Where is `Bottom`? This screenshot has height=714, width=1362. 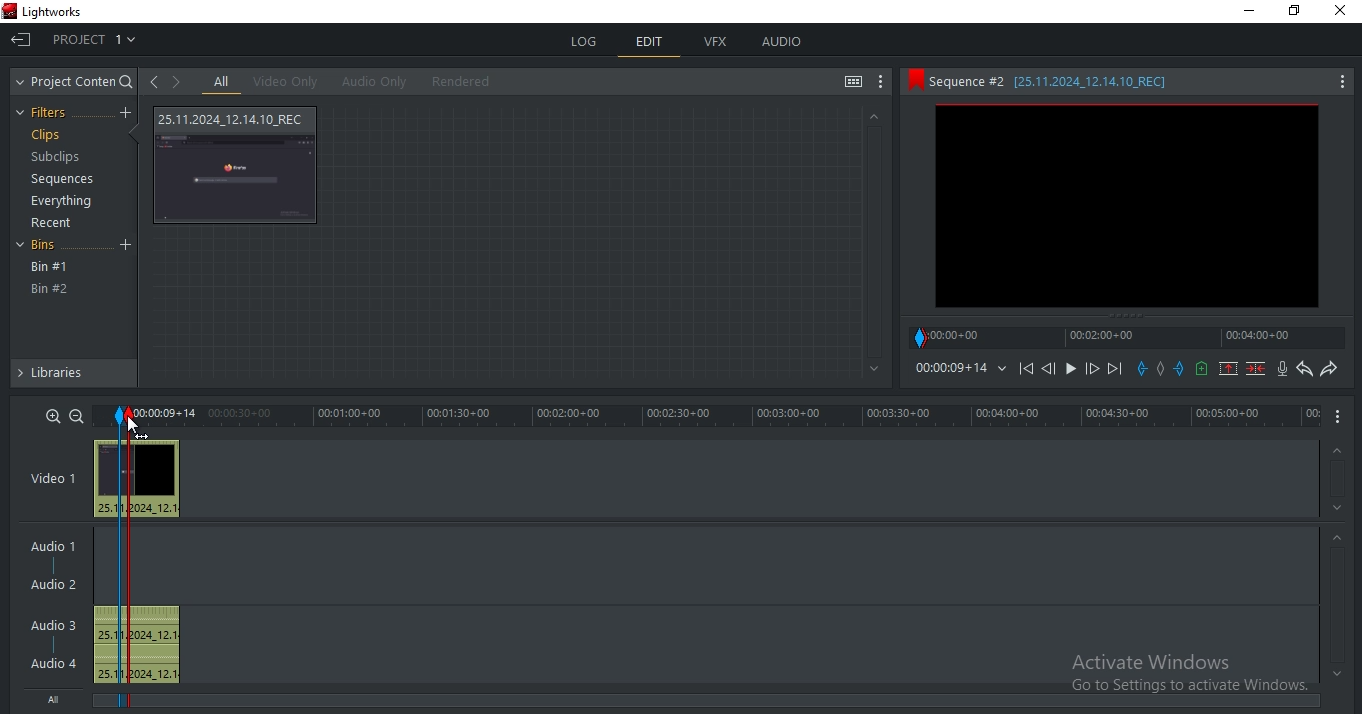
Bottom is located at coordinates (871, 369).